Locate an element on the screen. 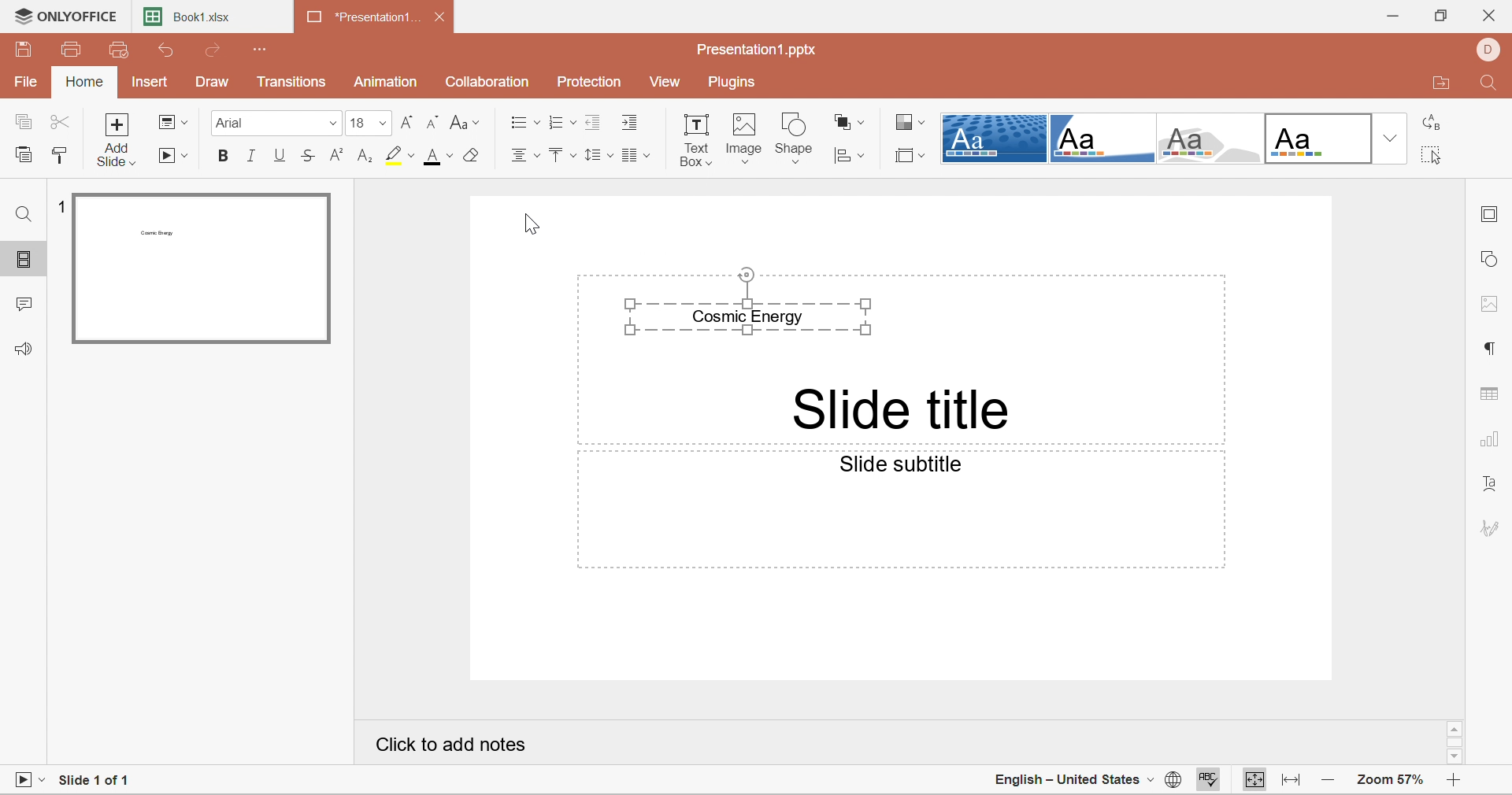 This screenshot has width=1512, height=795. Find is located at coordinates (20, 213).